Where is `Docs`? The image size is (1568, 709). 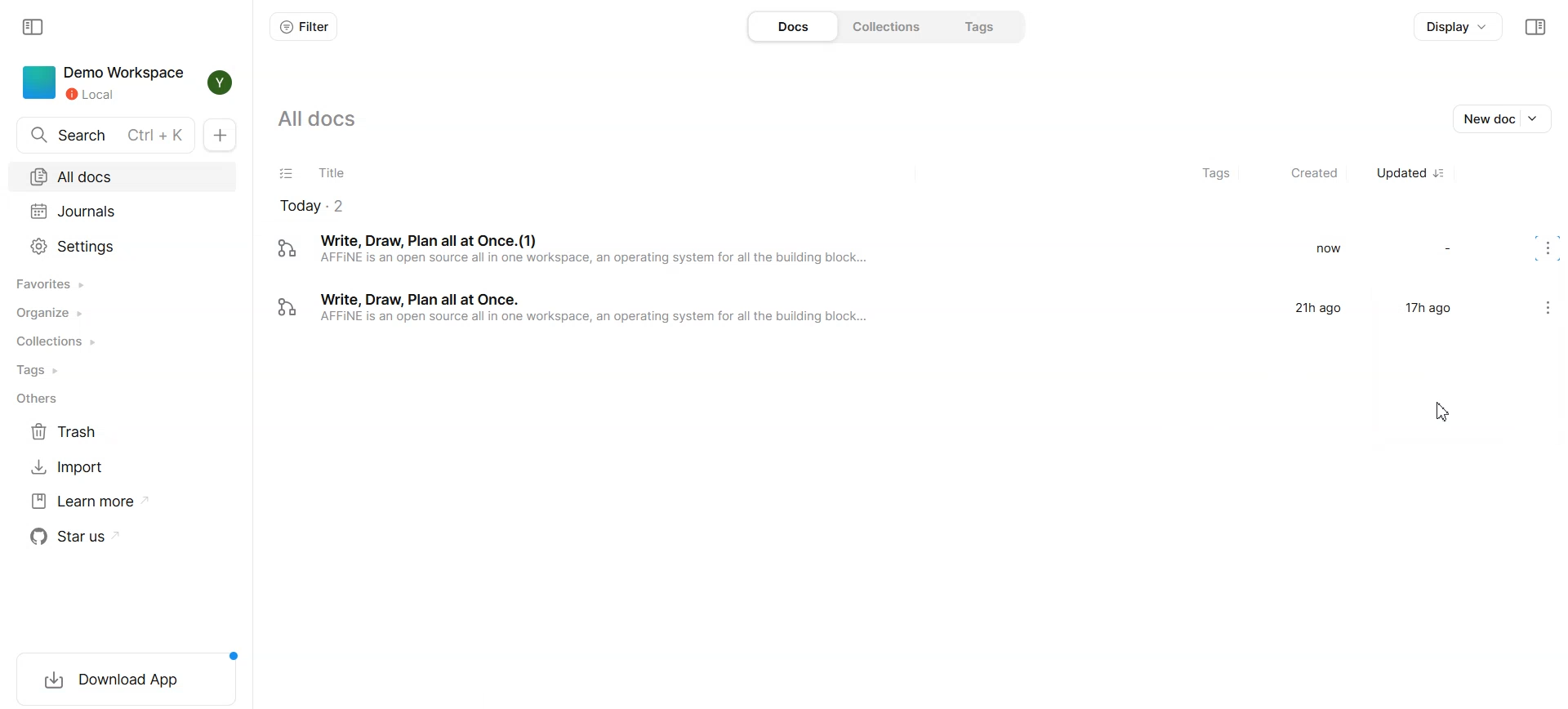
Docs is located at coordinates (789, 27).